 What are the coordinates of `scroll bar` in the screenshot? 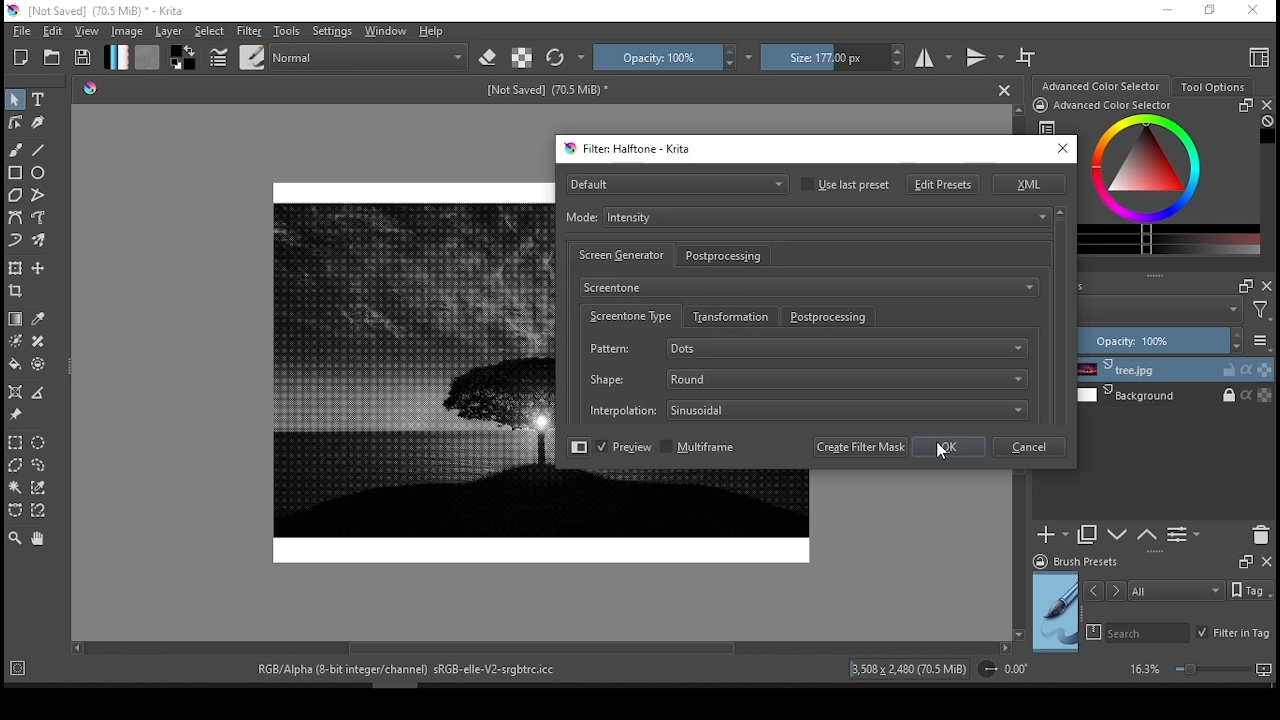 It's located at (1059, 319).